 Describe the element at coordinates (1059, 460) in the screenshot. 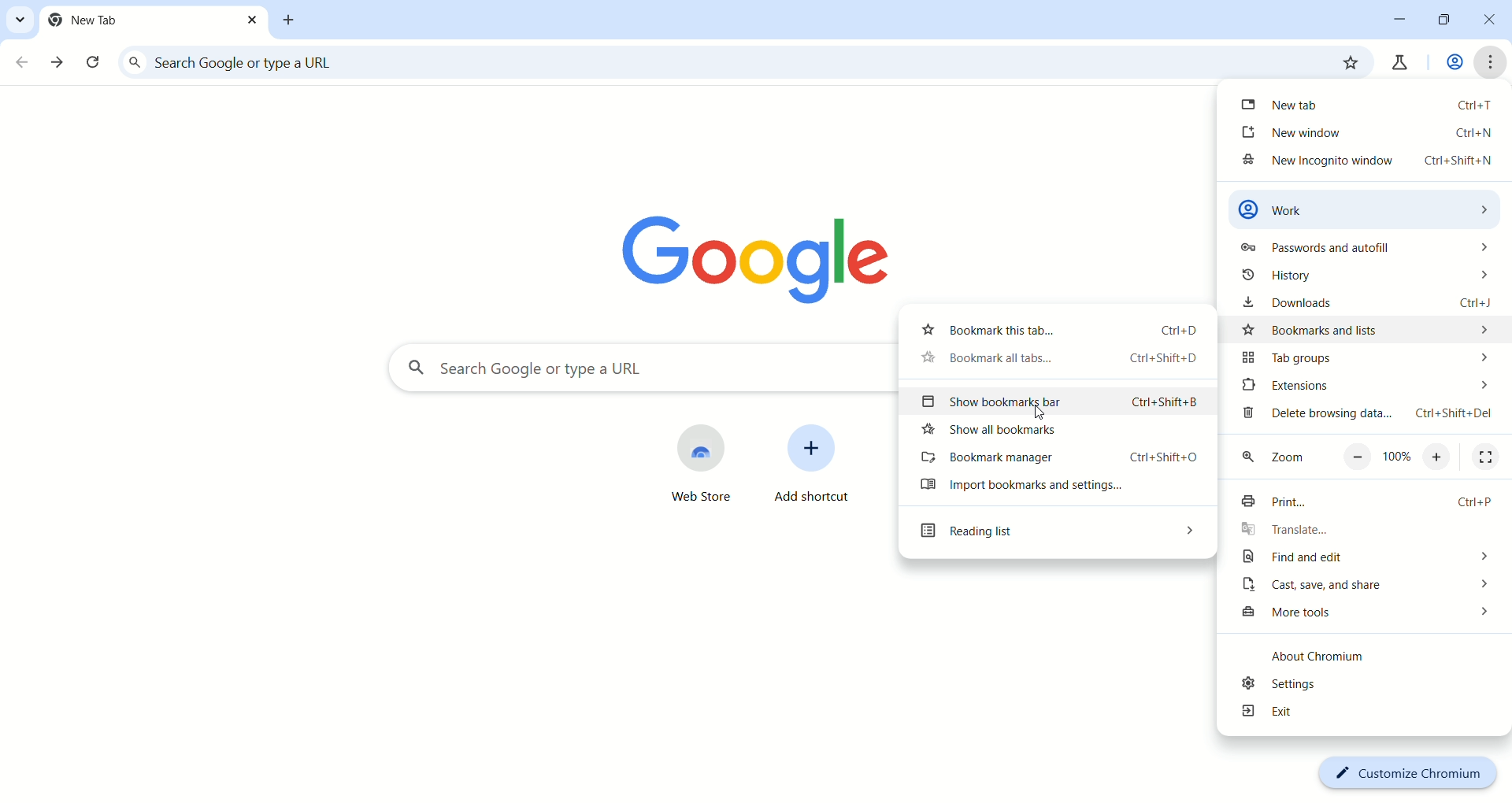

I see `bookmark manager` at that location.